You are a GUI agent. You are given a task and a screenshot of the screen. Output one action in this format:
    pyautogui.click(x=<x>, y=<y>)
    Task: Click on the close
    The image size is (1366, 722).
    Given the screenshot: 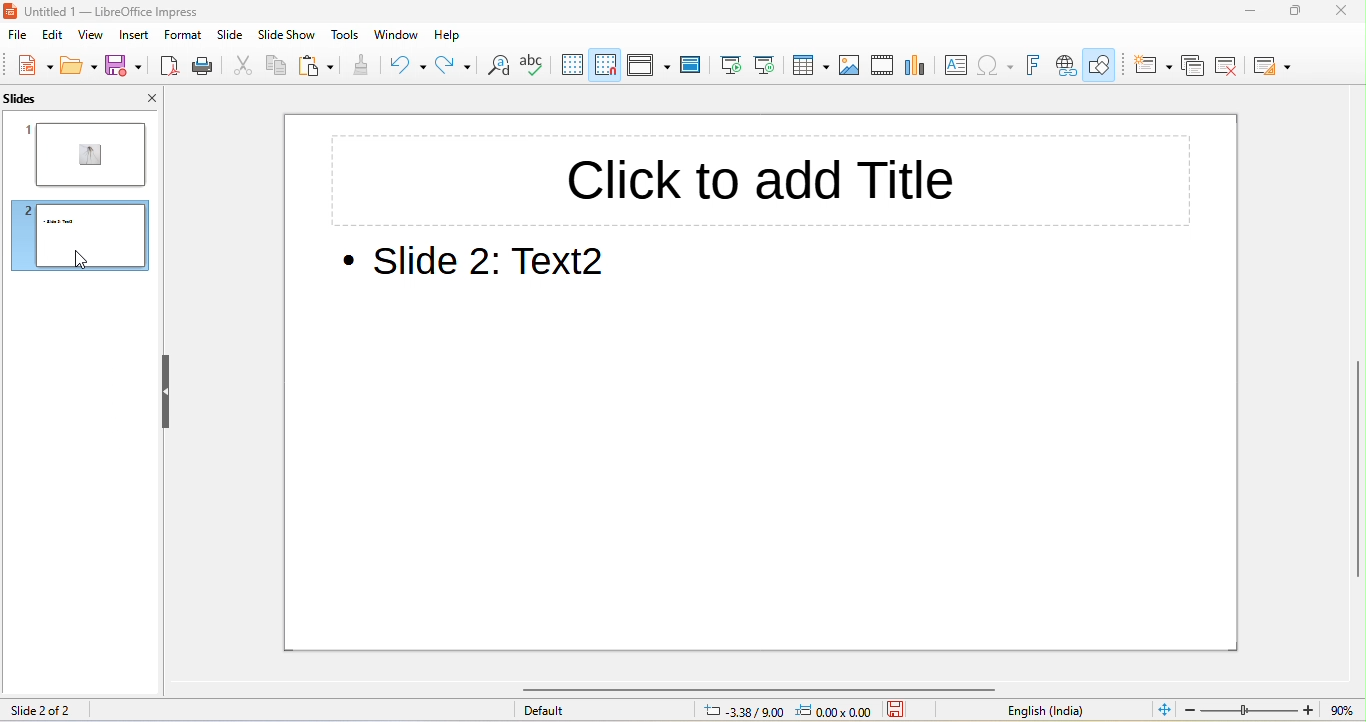 What is the action you would take?
    pyautogui.click(x=144, y=97)
    